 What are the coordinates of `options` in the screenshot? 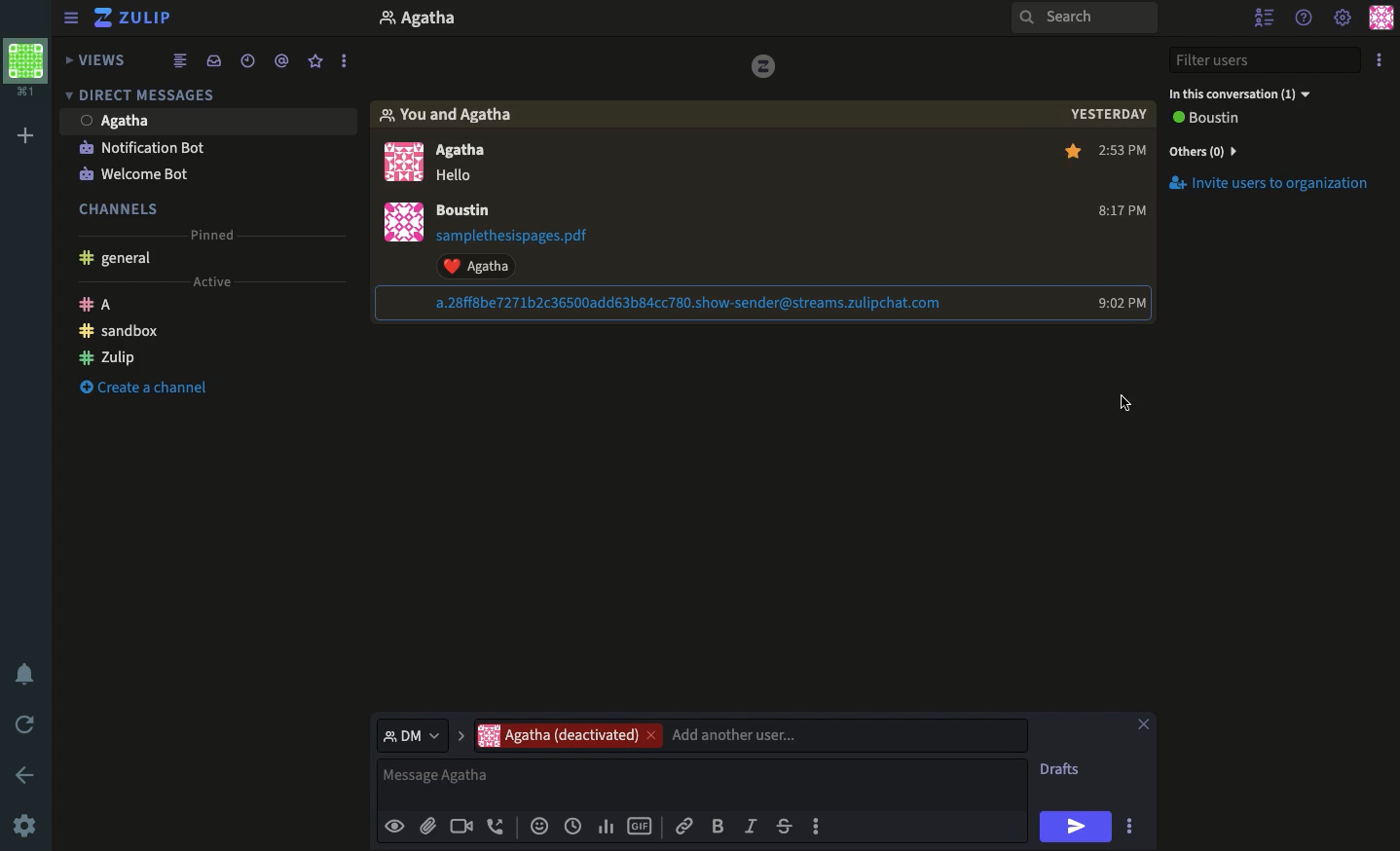 It's located at (1130, 826).